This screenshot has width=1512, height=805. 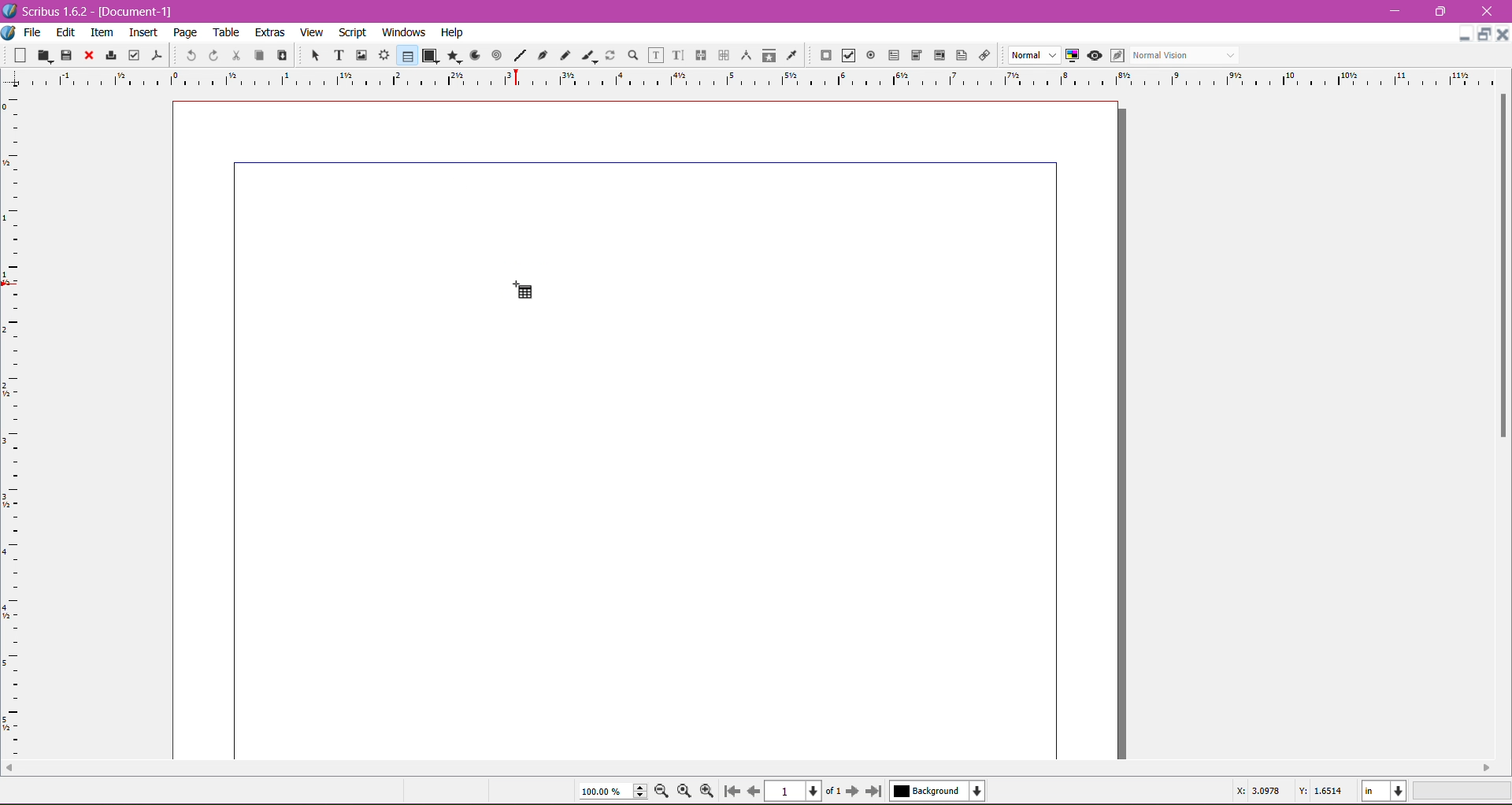 I want to click on PDF Push button, so click(x=824, y=56).